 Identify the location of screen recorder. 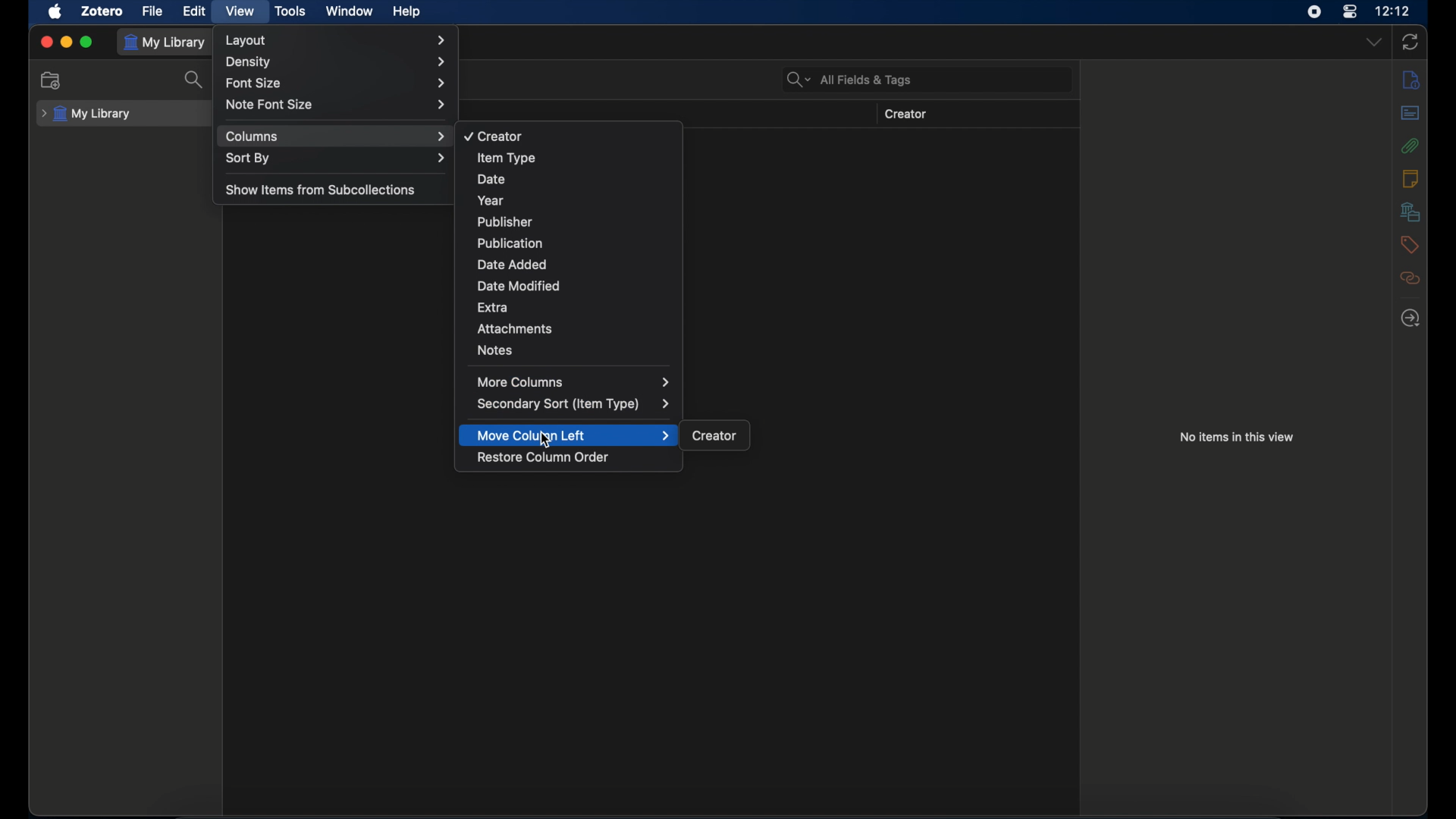
(1313, 11).